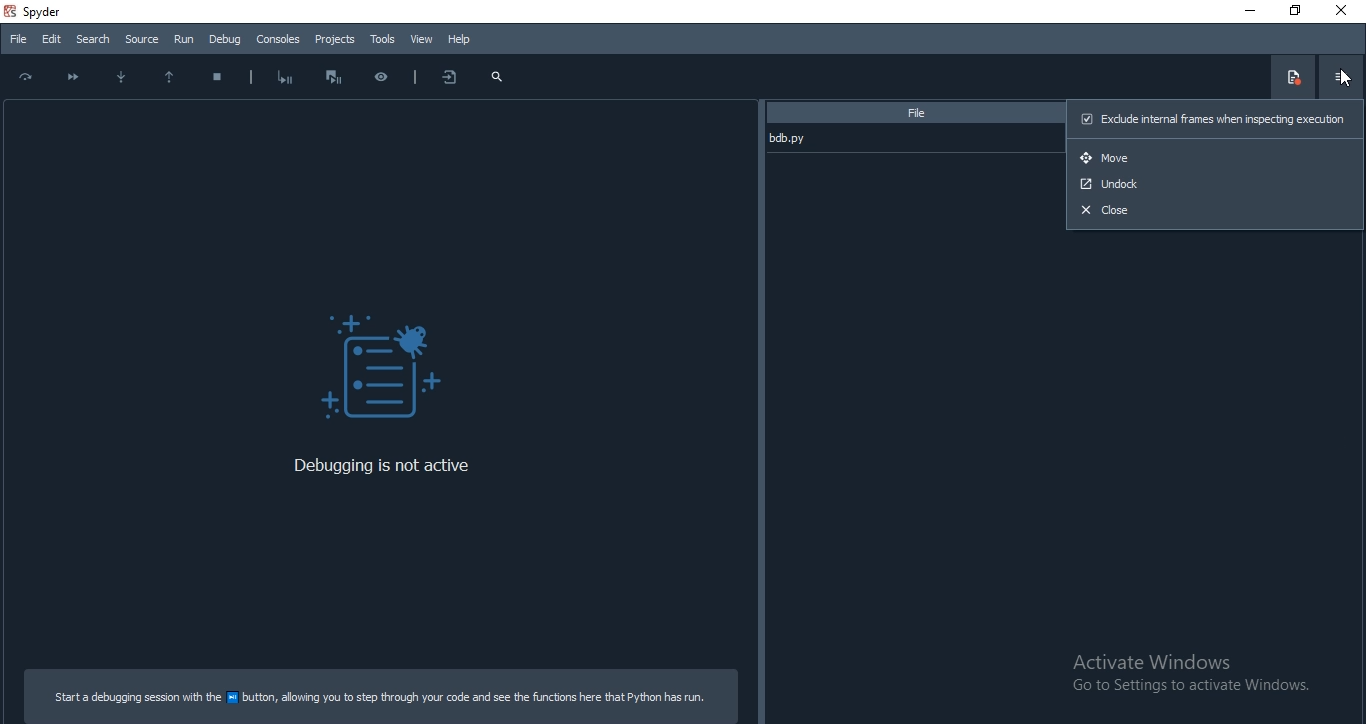 The image size is (1366, 724). What do you see at coordinates (382, 370) in the screenshot?
I see `Debug` at bounding box center [382, 370].